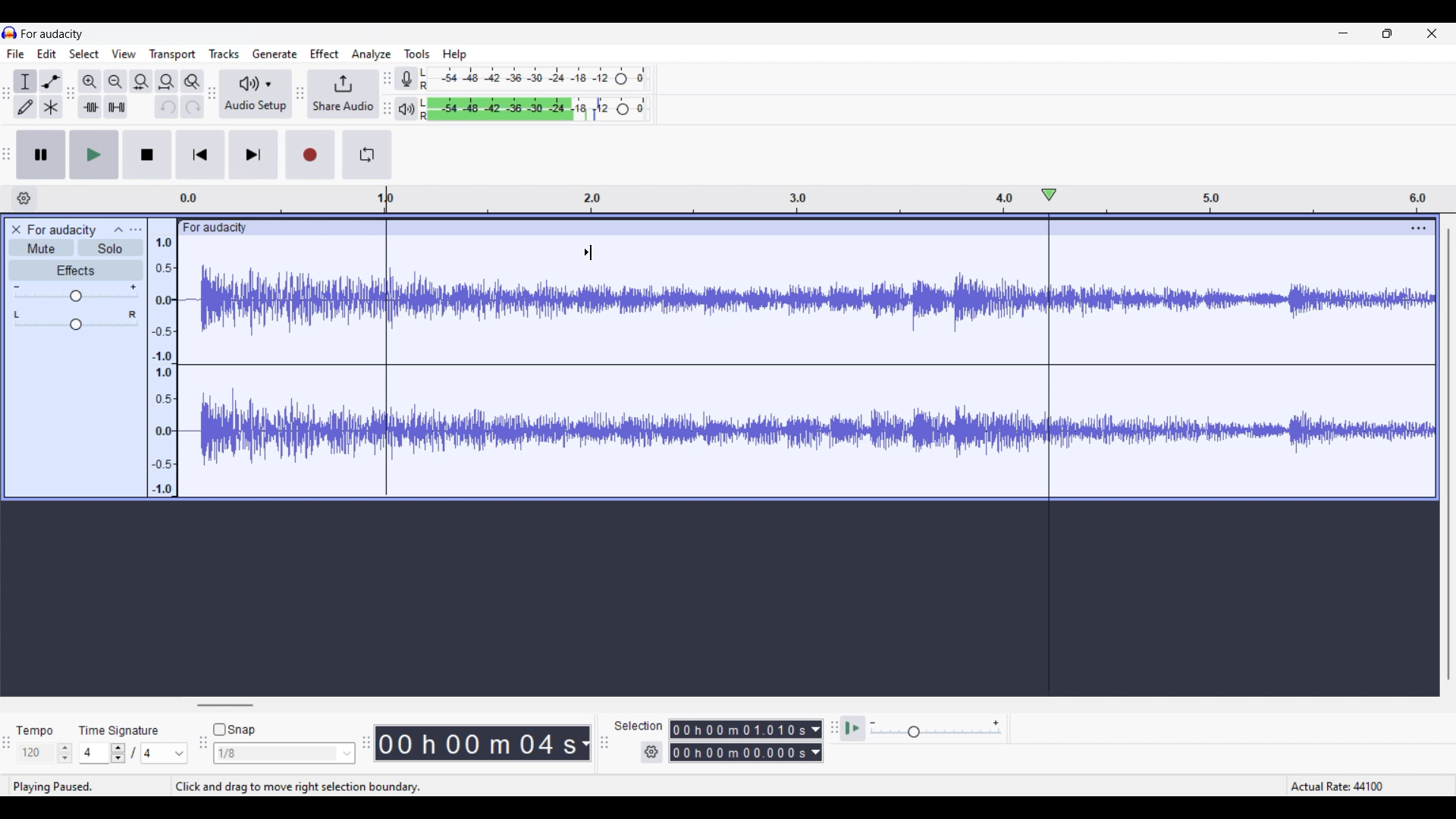 The width and height of the screenshot is (1456, 819). What do you see at coordinates (116, 107) in the screenshot?
I see `Silence audio selection` at bounding box center [116, 107].